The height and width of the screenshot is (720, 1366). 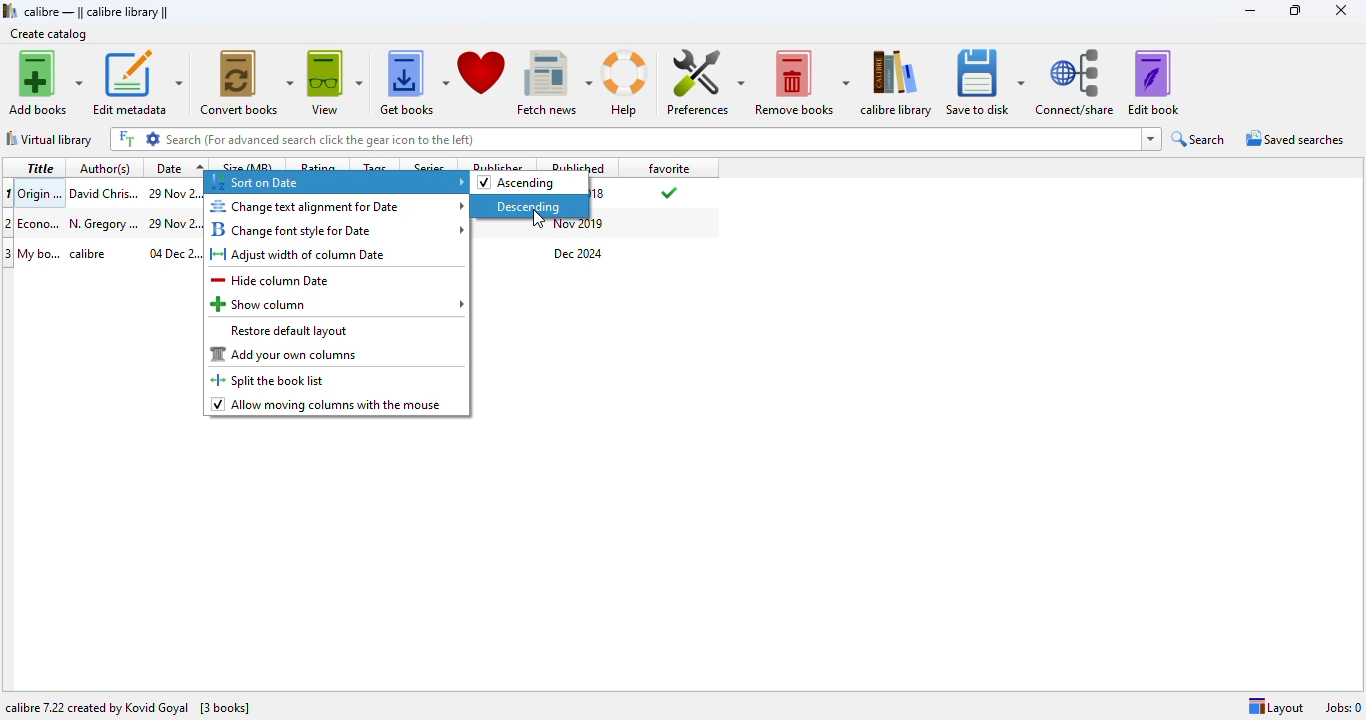 What do you see at coordinates (667, 192) in the screenshot?
I see `added to favorites` at bounding box center [667, 192].